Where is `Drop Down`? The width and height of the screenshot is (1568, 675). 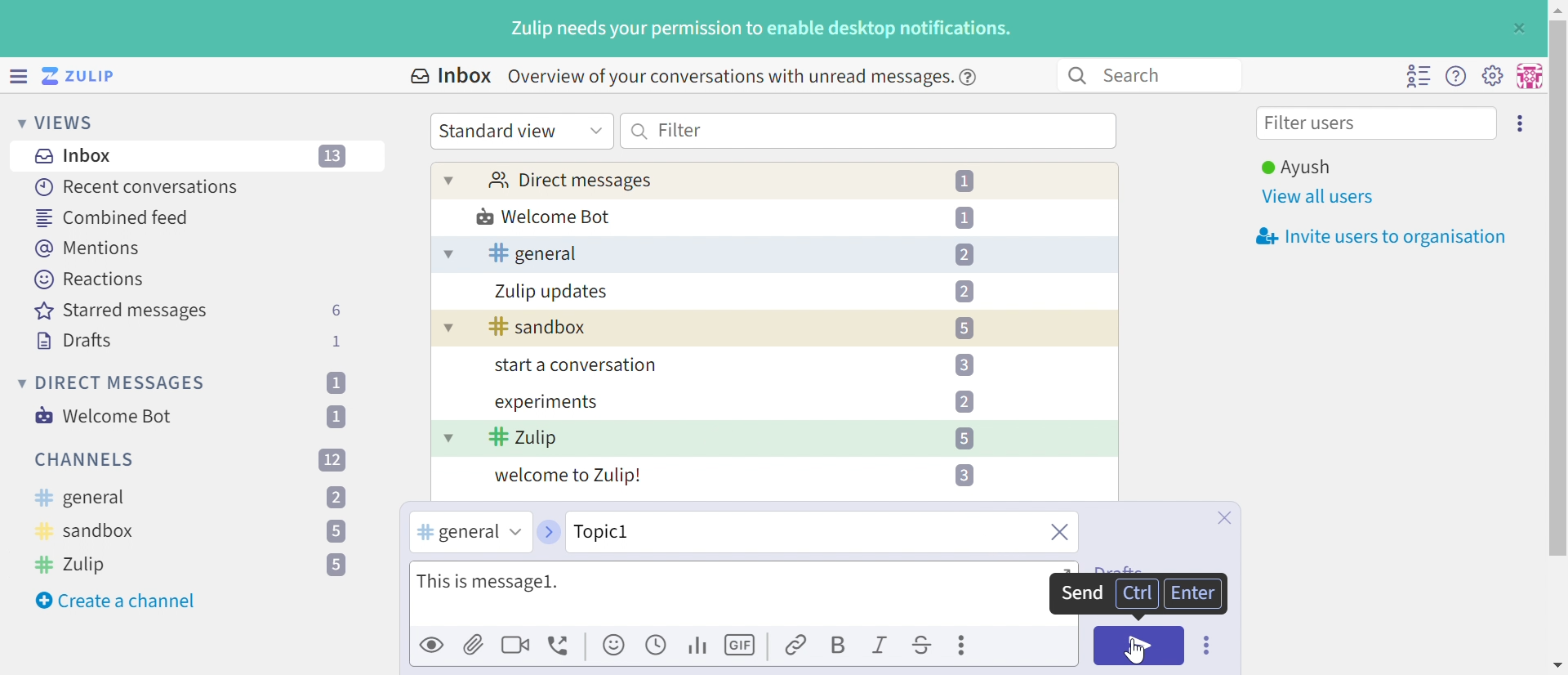
Drop Down is located at coordinates (514, 532).